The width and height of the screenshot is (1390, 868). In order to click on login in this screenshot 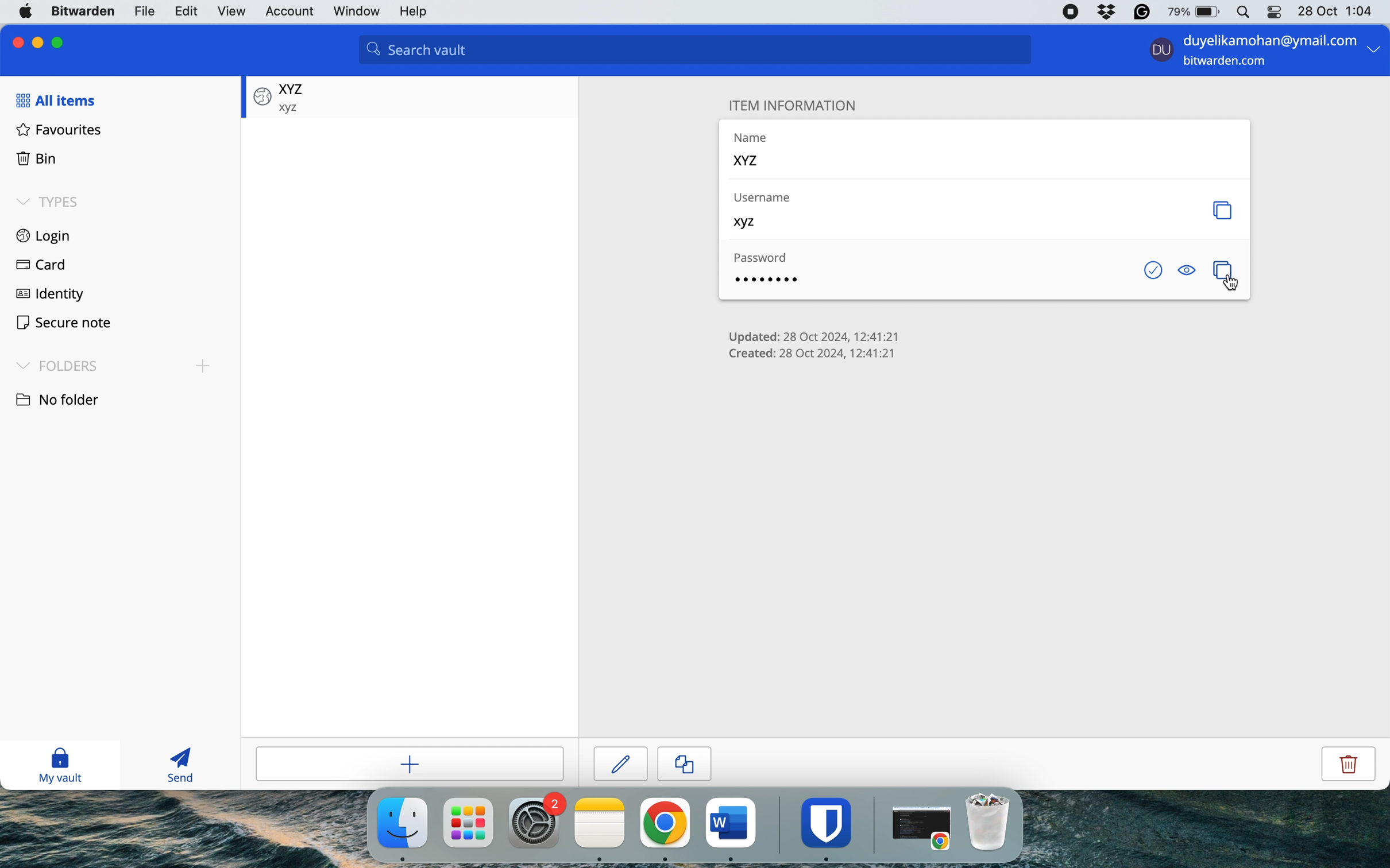, I will do `click(45, 234)`.